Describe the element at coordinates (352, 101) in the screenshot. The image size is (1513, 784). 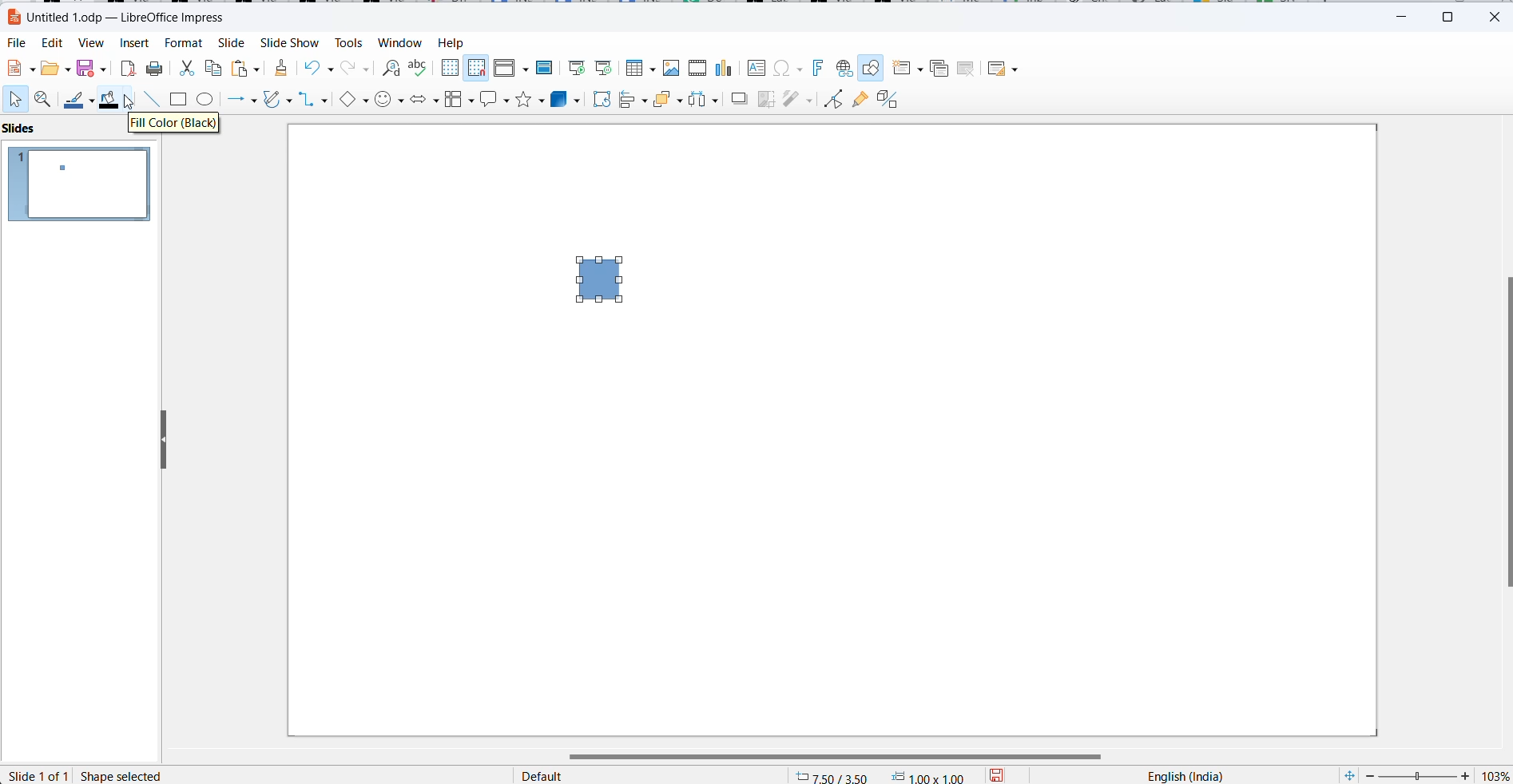
I see `basic shapes` at that location.